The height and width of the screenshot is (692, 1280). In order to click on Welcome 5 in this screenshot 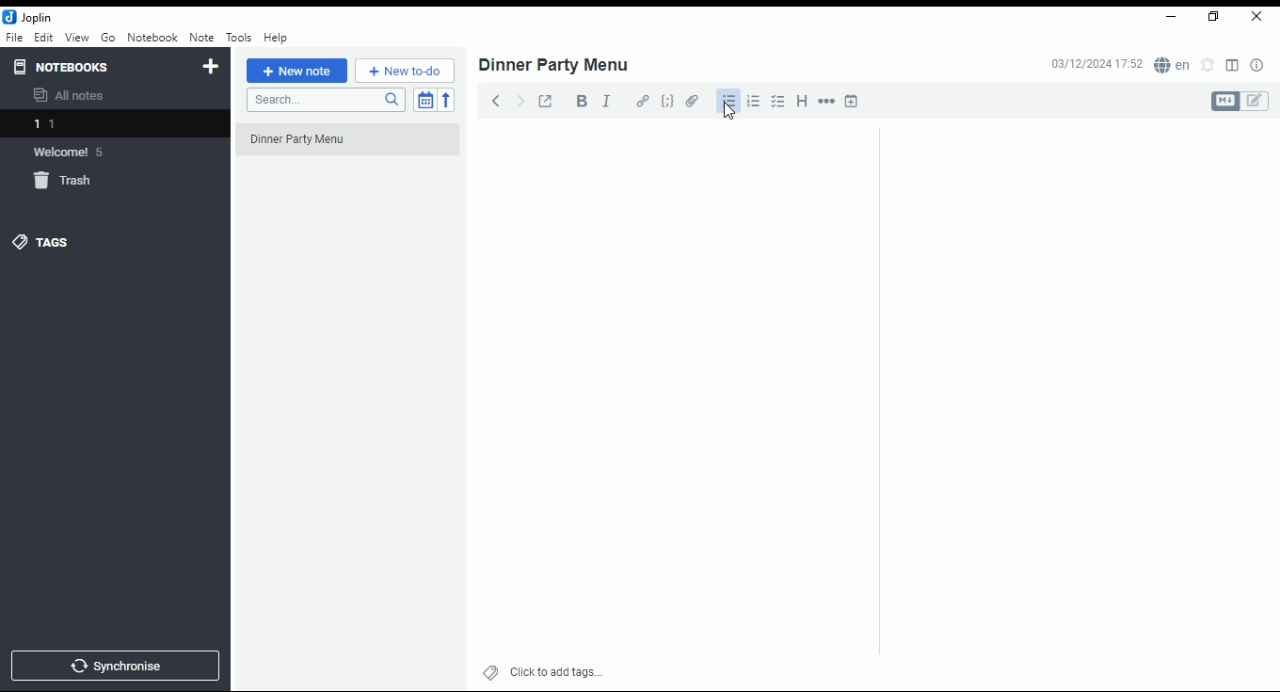, I will do `click(79, 152)`.